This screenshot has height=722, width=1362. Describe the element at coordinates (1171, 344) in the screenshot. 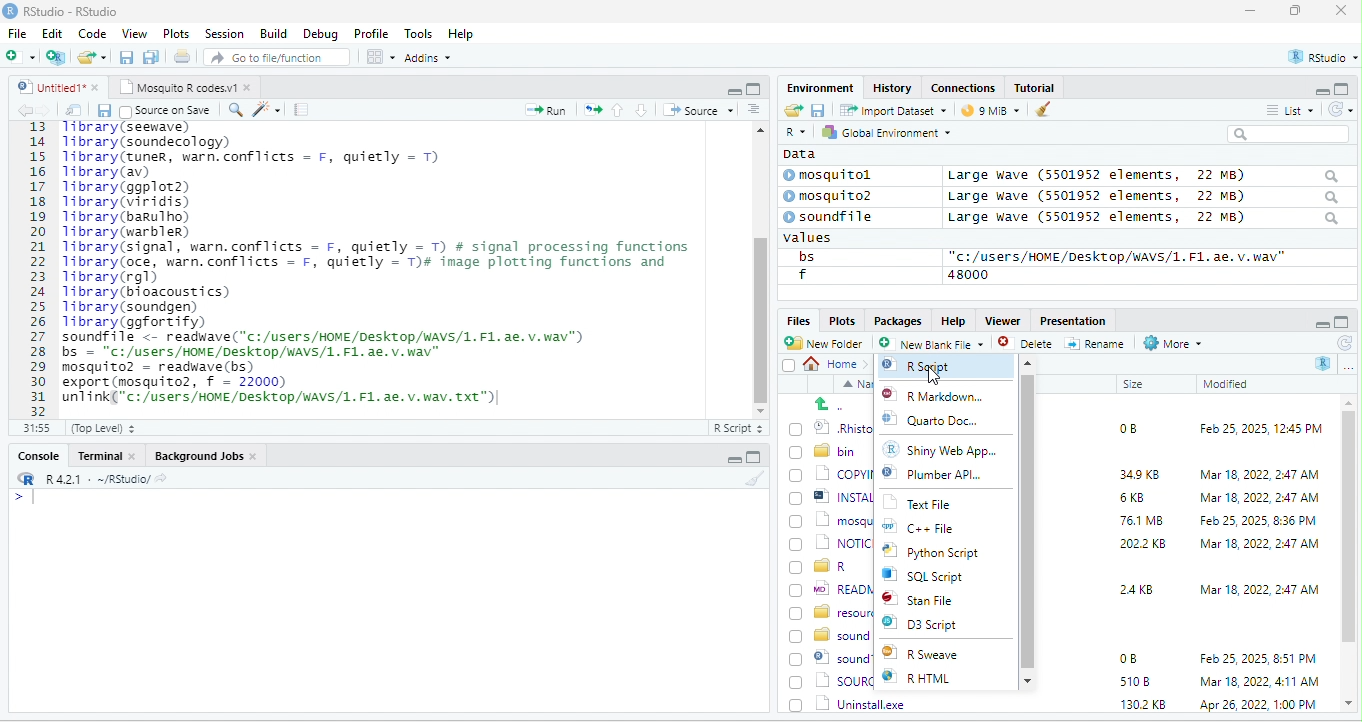

I see ` More ` at that location.